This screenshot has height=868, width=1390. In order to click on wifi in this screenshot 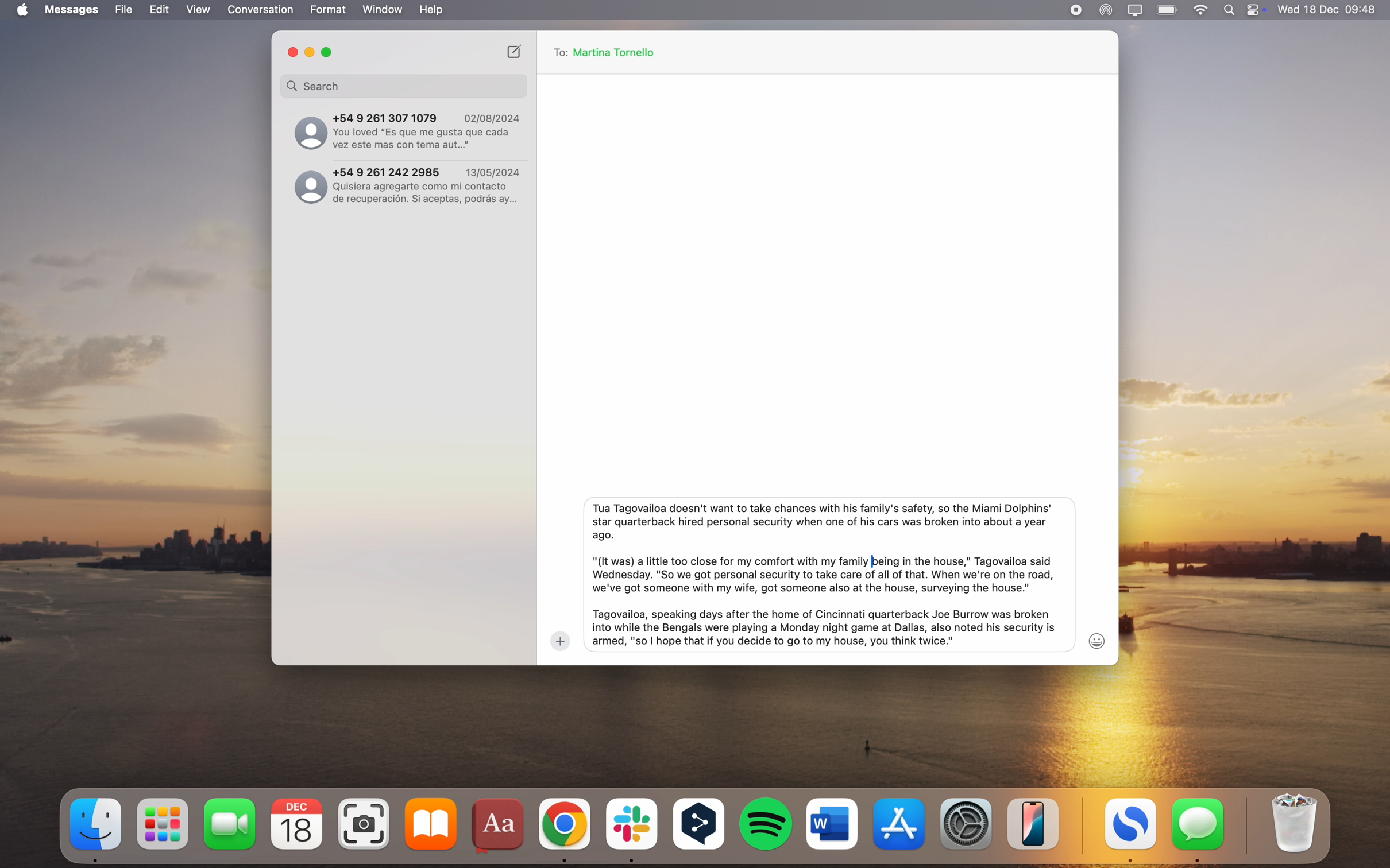, I will do `click(1202, 10)`.